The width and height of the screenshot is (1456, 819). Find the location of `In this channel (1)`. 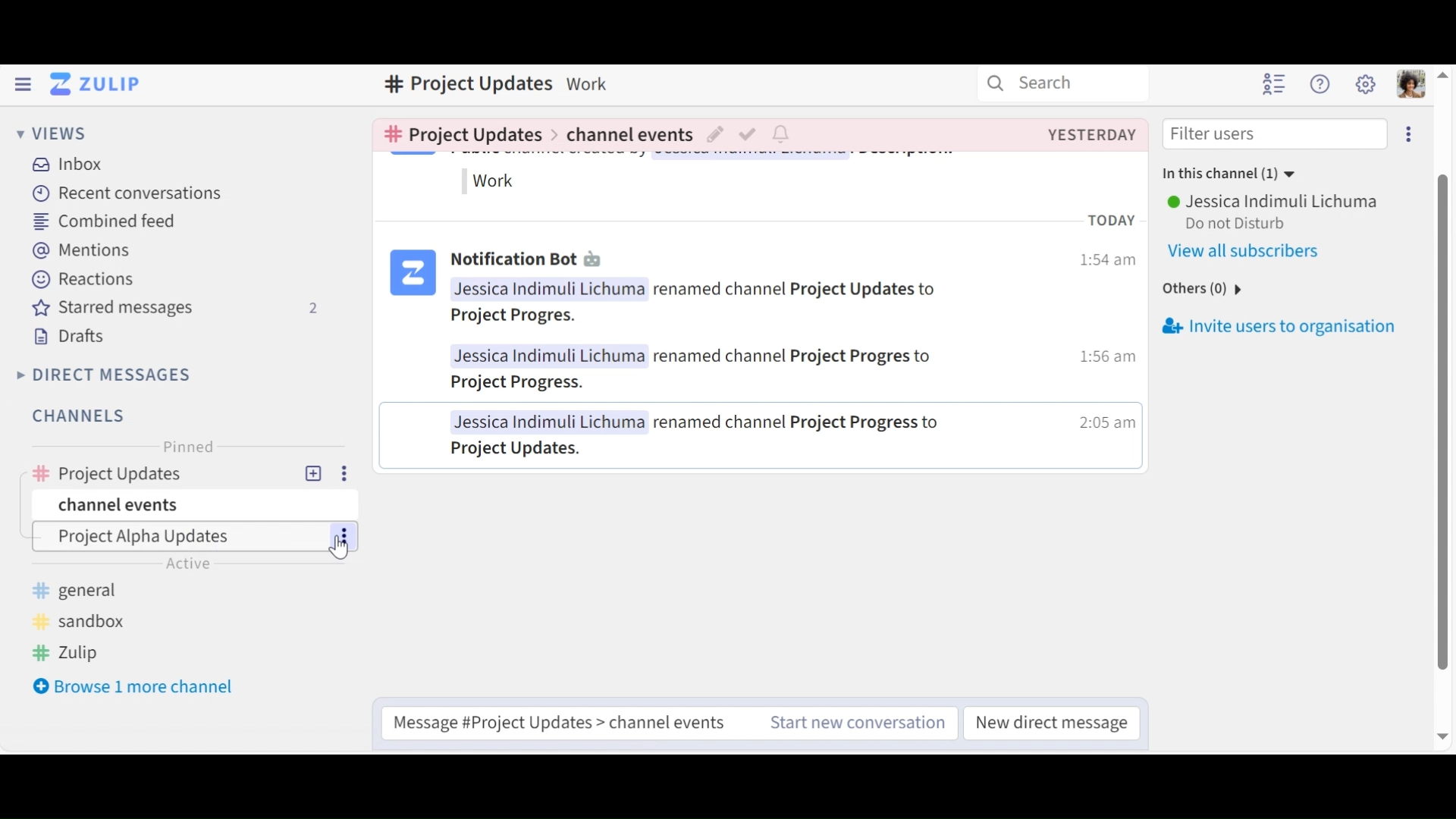

In this channel (1) is located at coordinates (1223, 174).